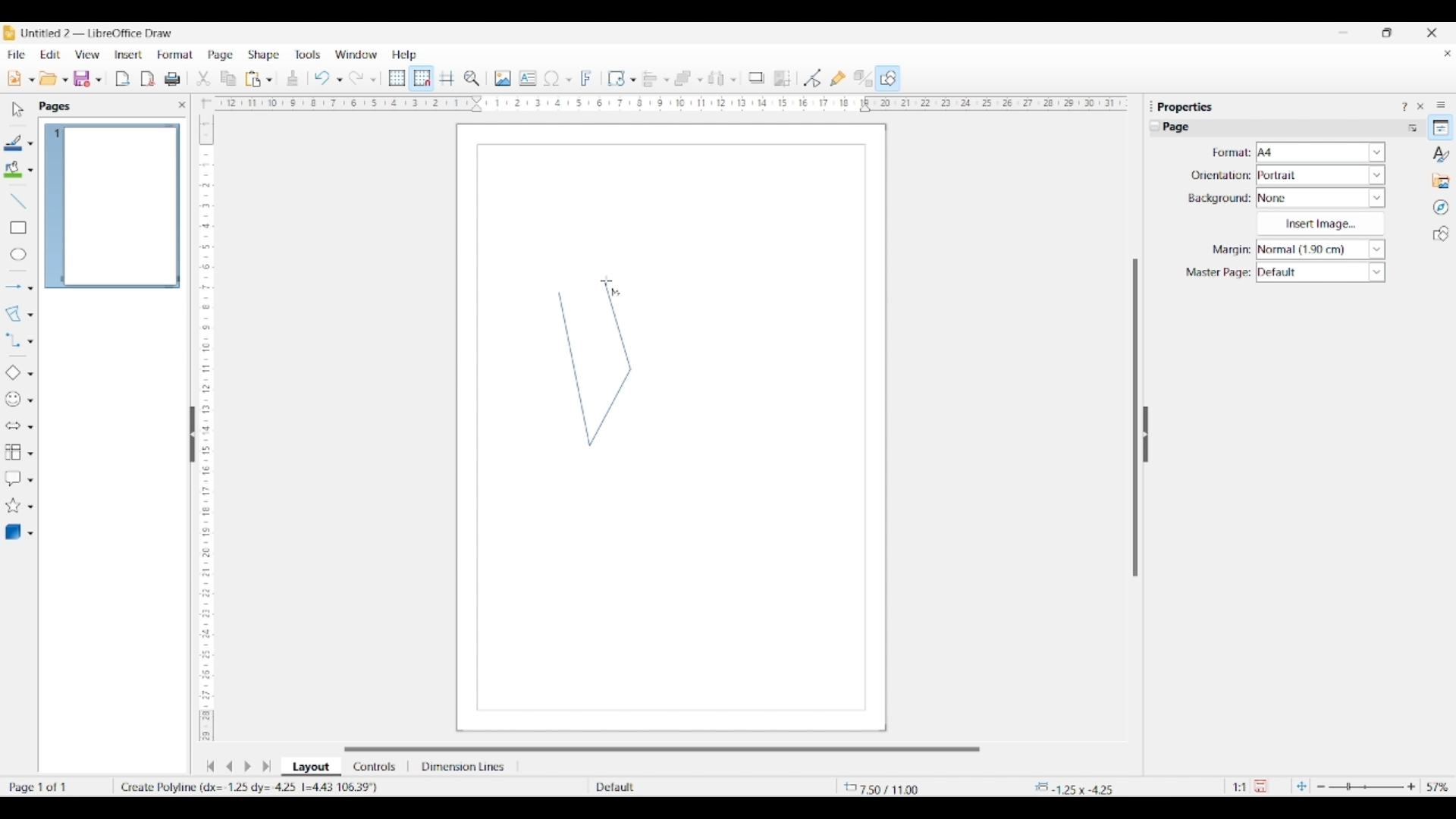  I want to click on Minimize, so click(1344, 33).